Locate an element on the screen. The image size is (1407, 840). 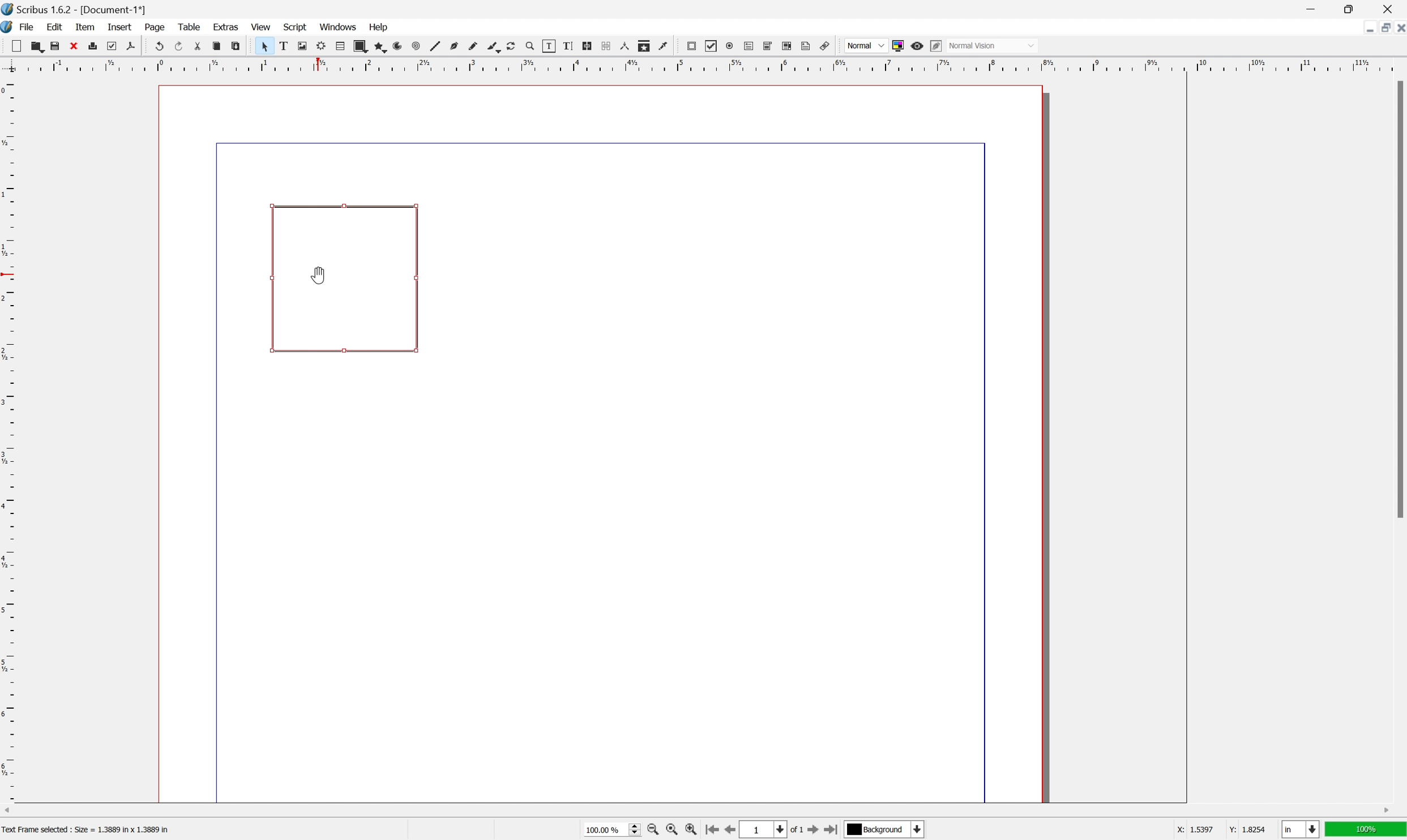
text frame is located at coordinates (282, 46).